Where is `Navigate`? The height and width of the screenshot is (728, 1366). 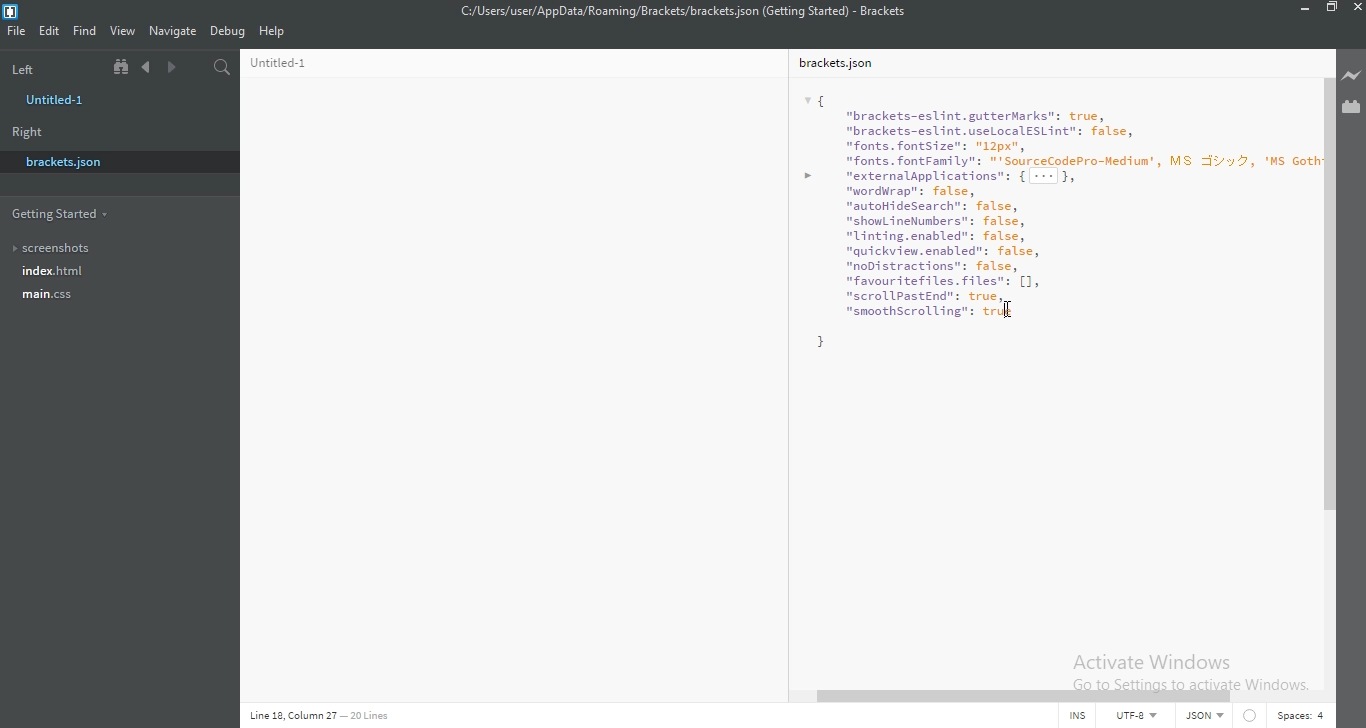 Navigate is located at coordinates (174, 30).